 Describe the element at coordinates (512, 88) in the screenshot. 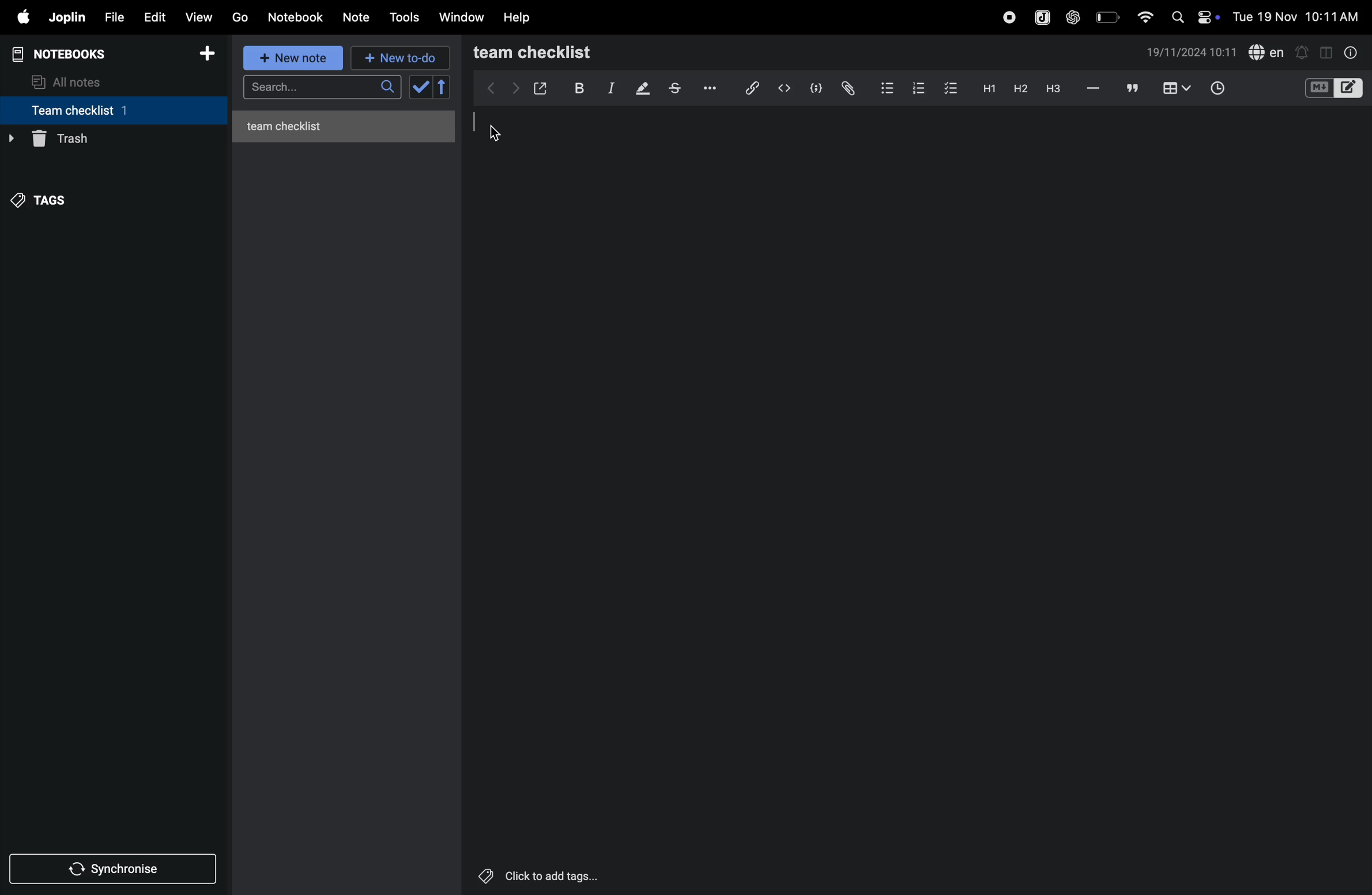

I see `forward` at that location.